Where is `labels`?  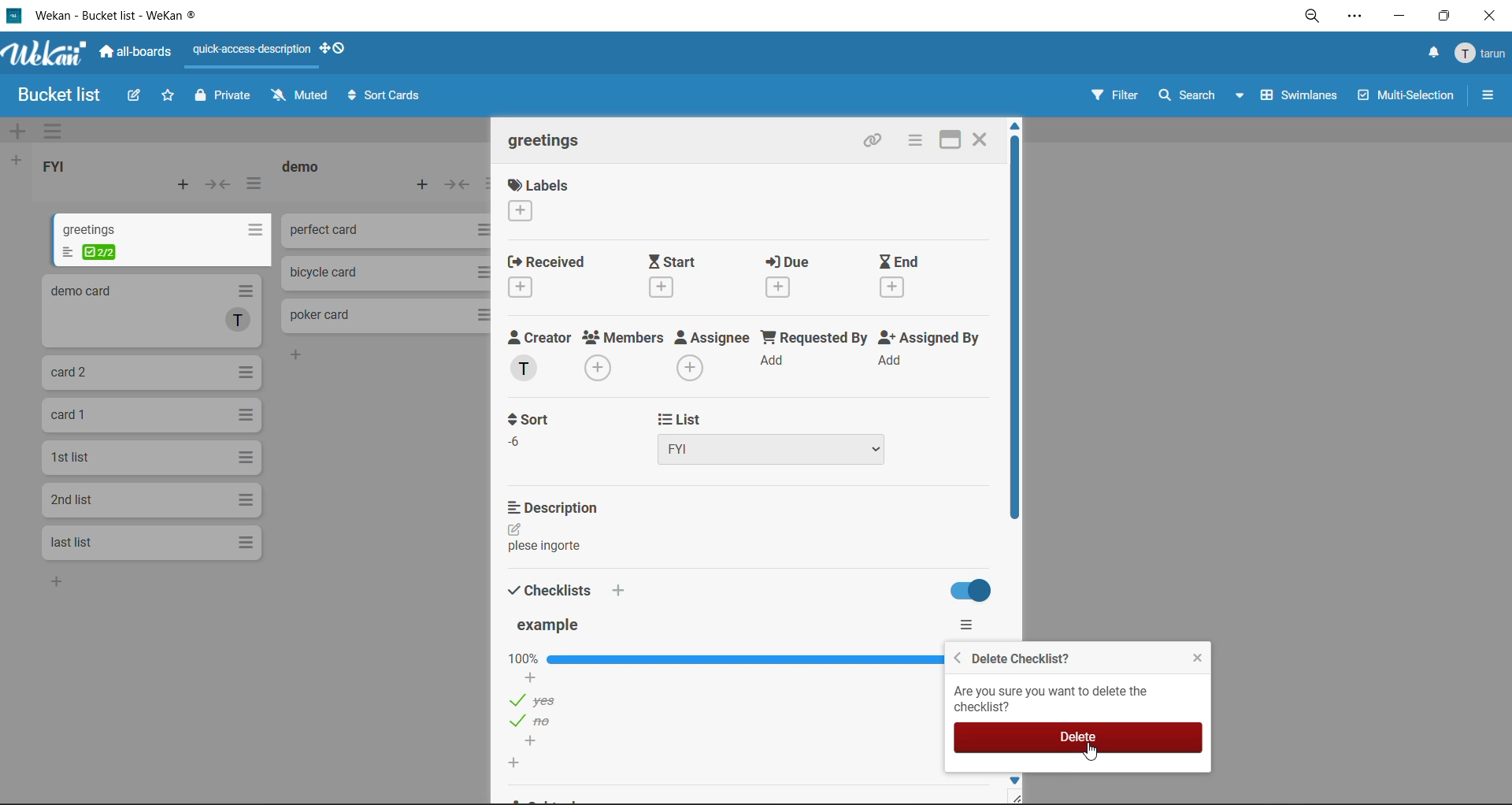 labels is located at coordinates (528, 200).